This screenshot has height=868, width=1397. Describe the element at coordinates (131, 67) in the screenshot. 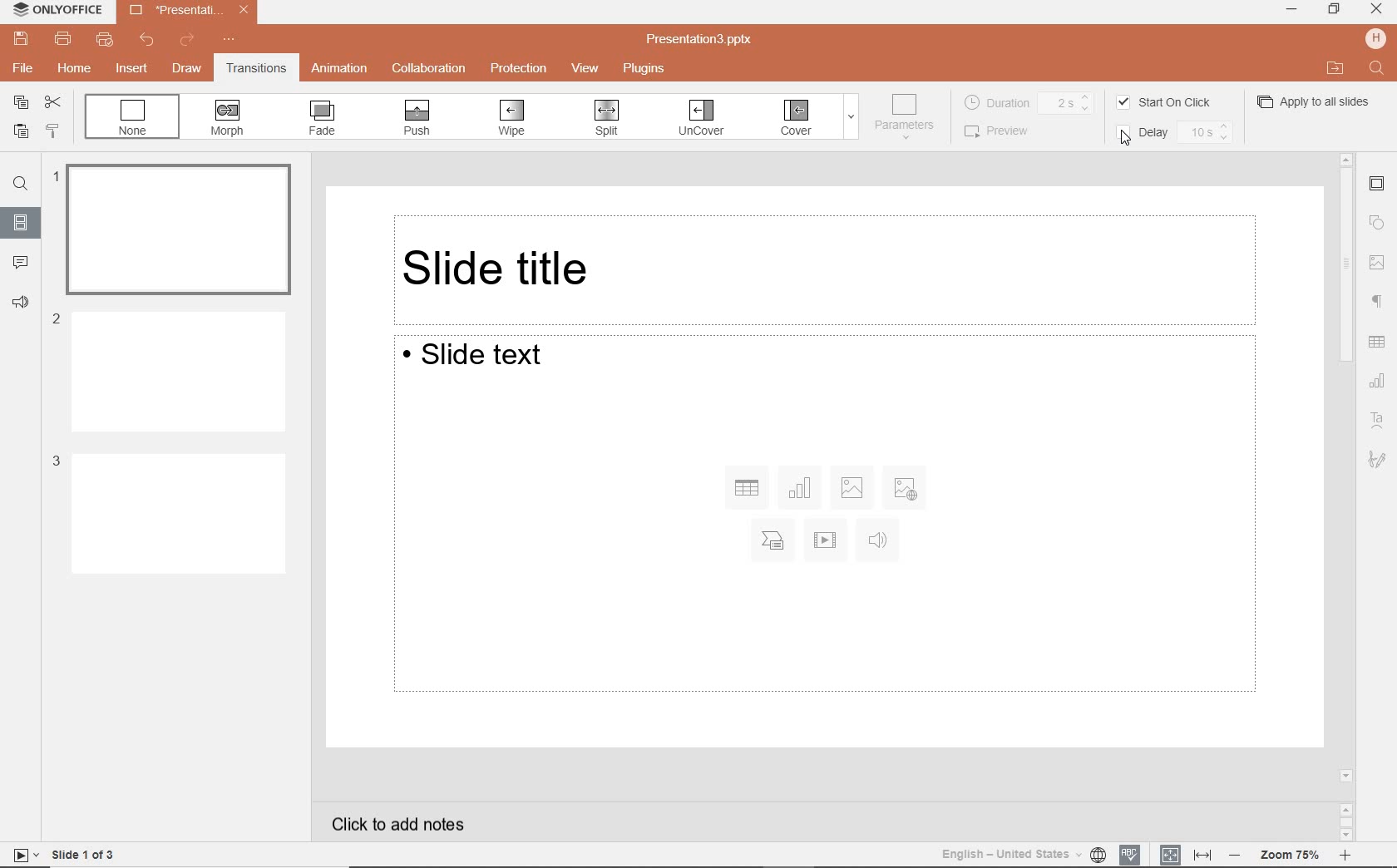

I see `insert` at that location.